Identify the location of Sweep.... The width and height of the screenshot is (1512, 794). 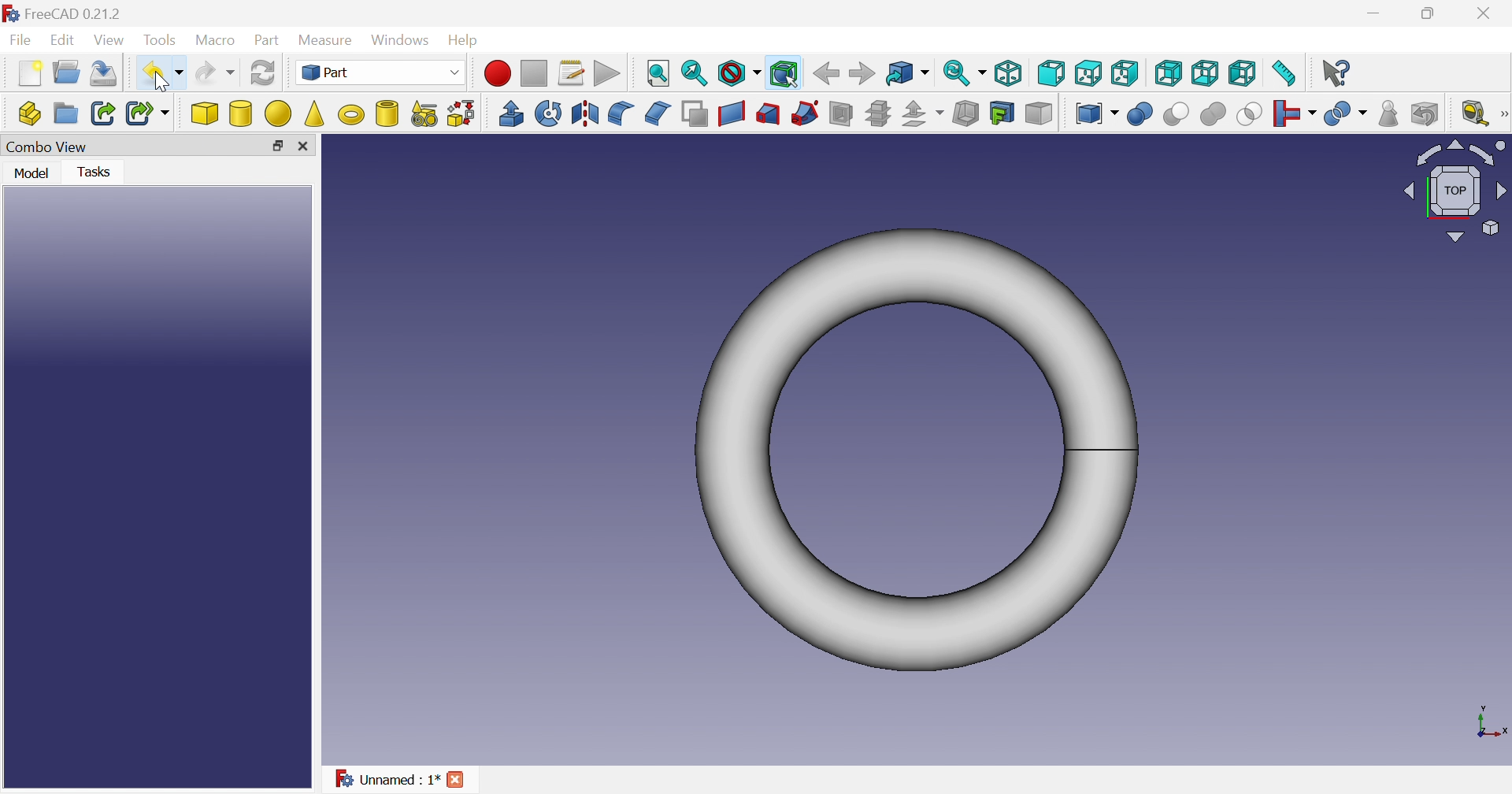
(804, 114).